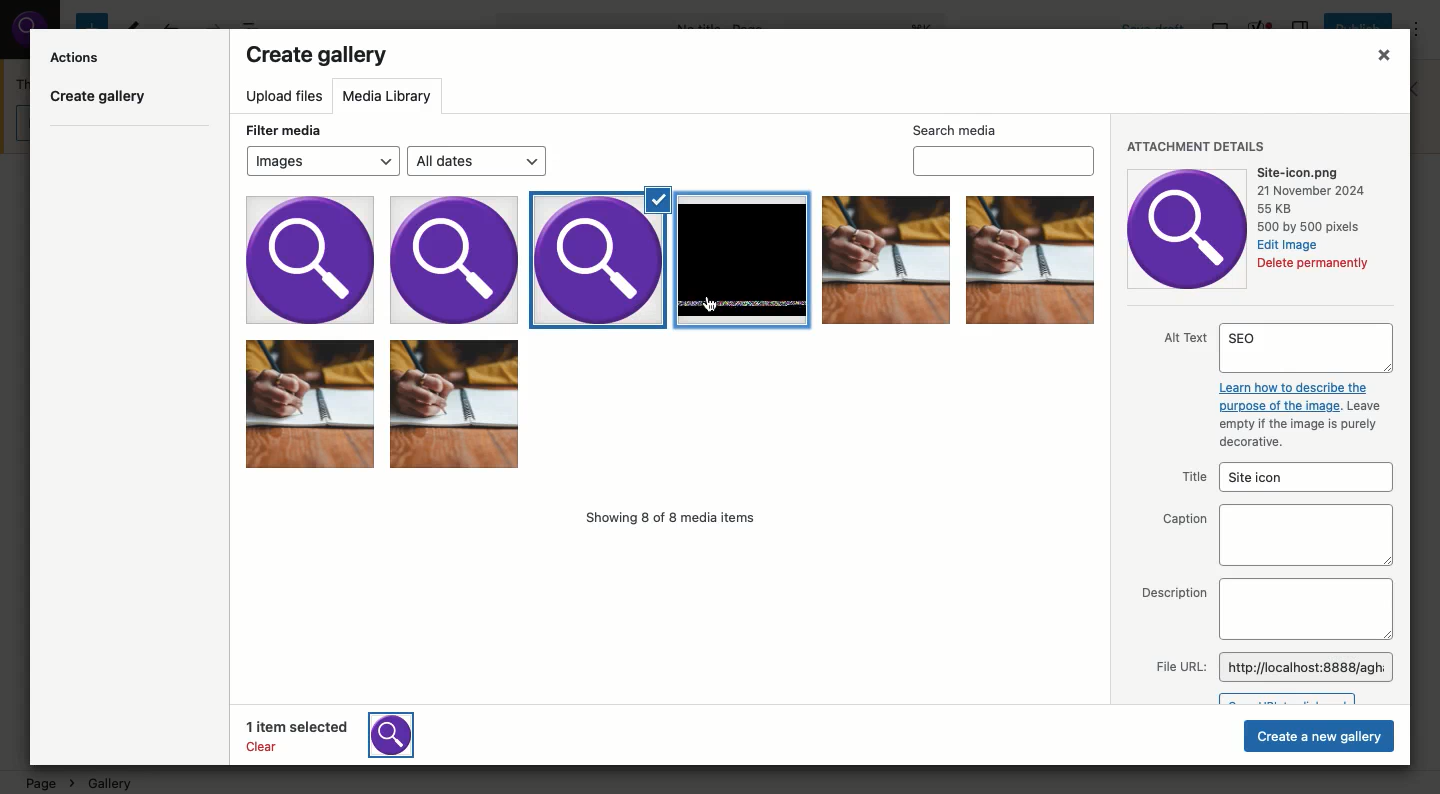 Image resolution: width=1440 pixels, height=794 pixels. Describe the element at coordinates (1315, 199) in the screenshot. I see `` at that location.